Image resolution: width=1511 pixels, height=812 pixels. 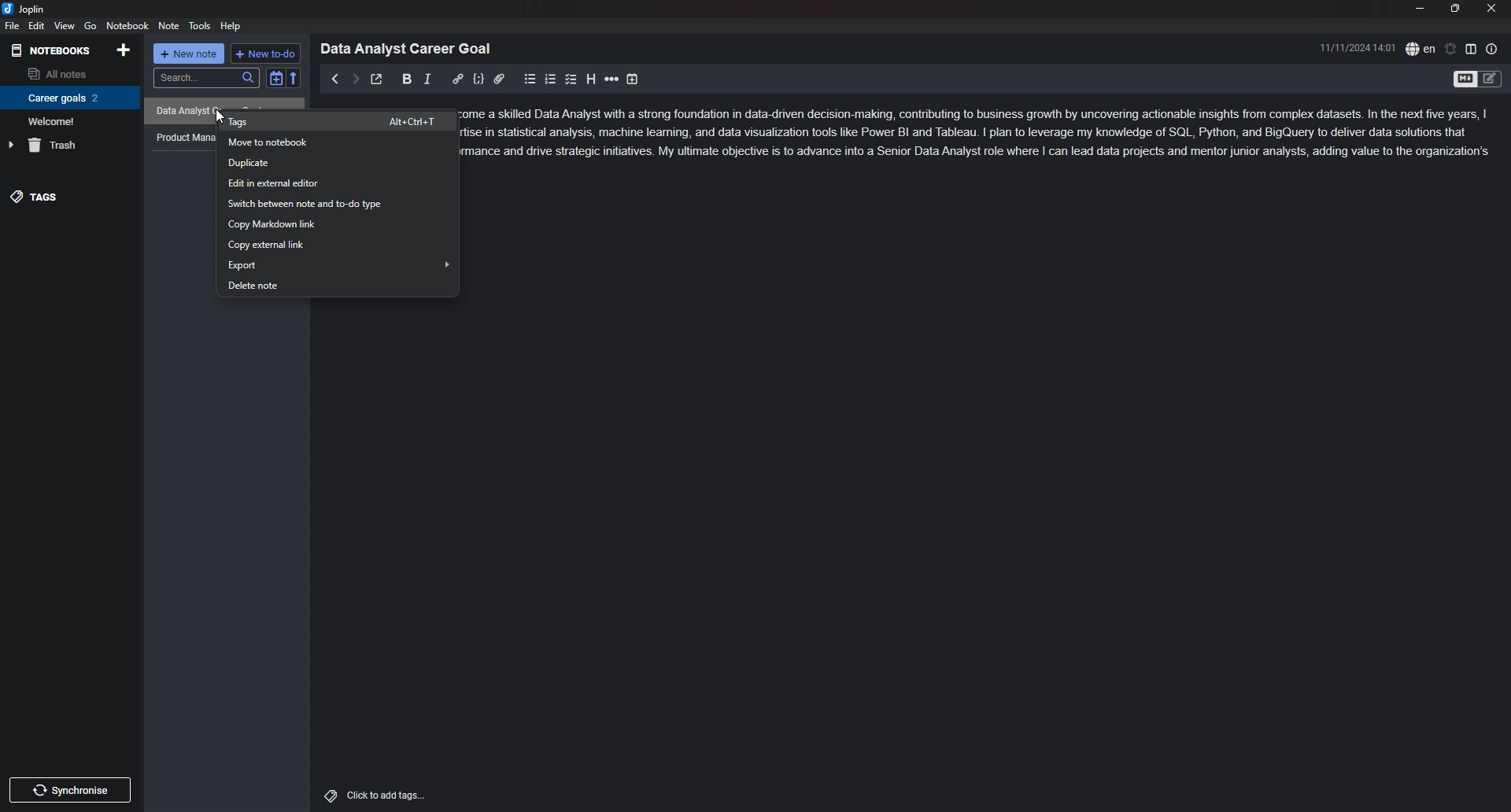 I want to click on file, so click(x=13, y=25).